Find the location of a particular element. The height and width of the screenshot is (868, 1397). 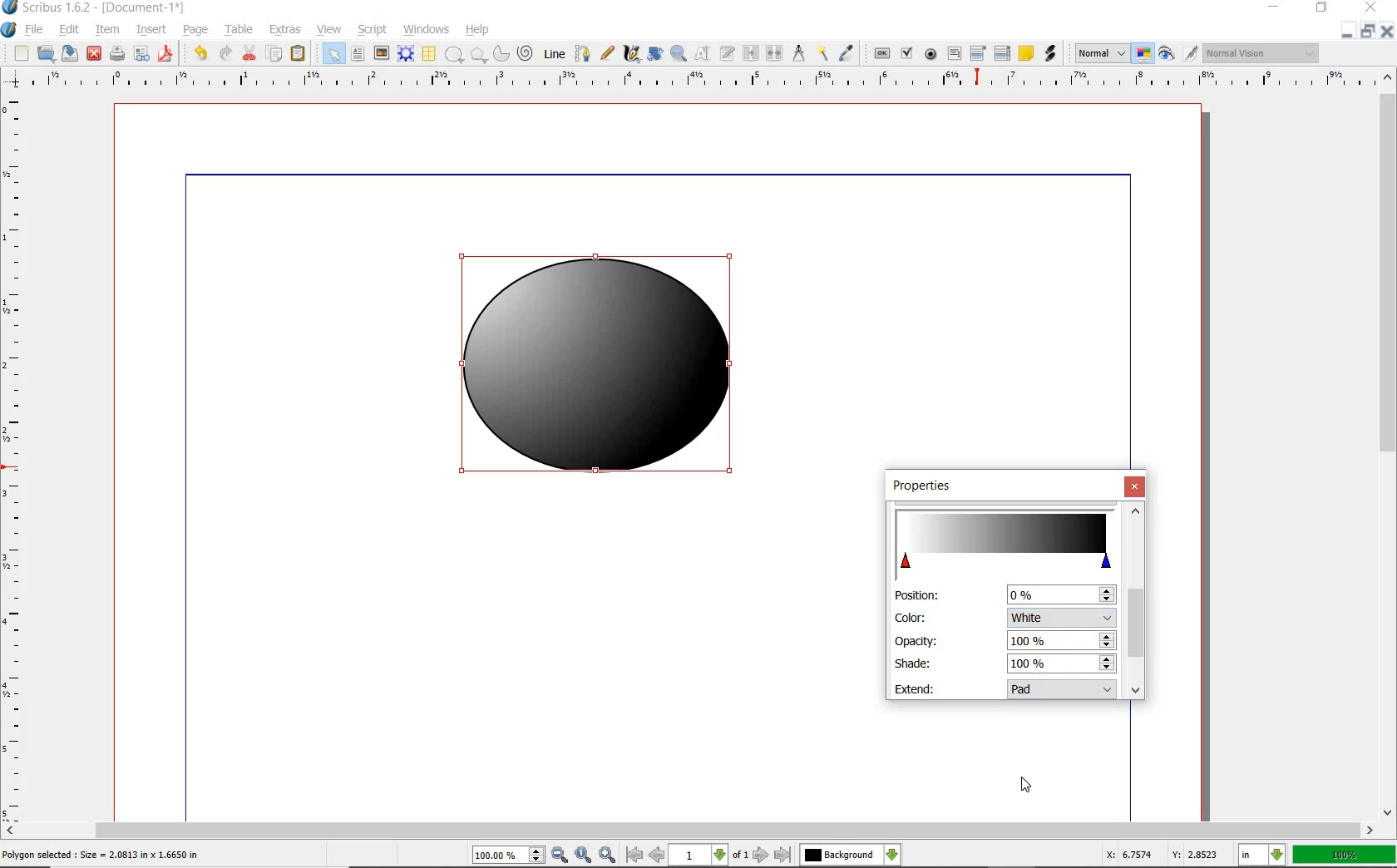

EDIT is located at coordinates (68, 31).